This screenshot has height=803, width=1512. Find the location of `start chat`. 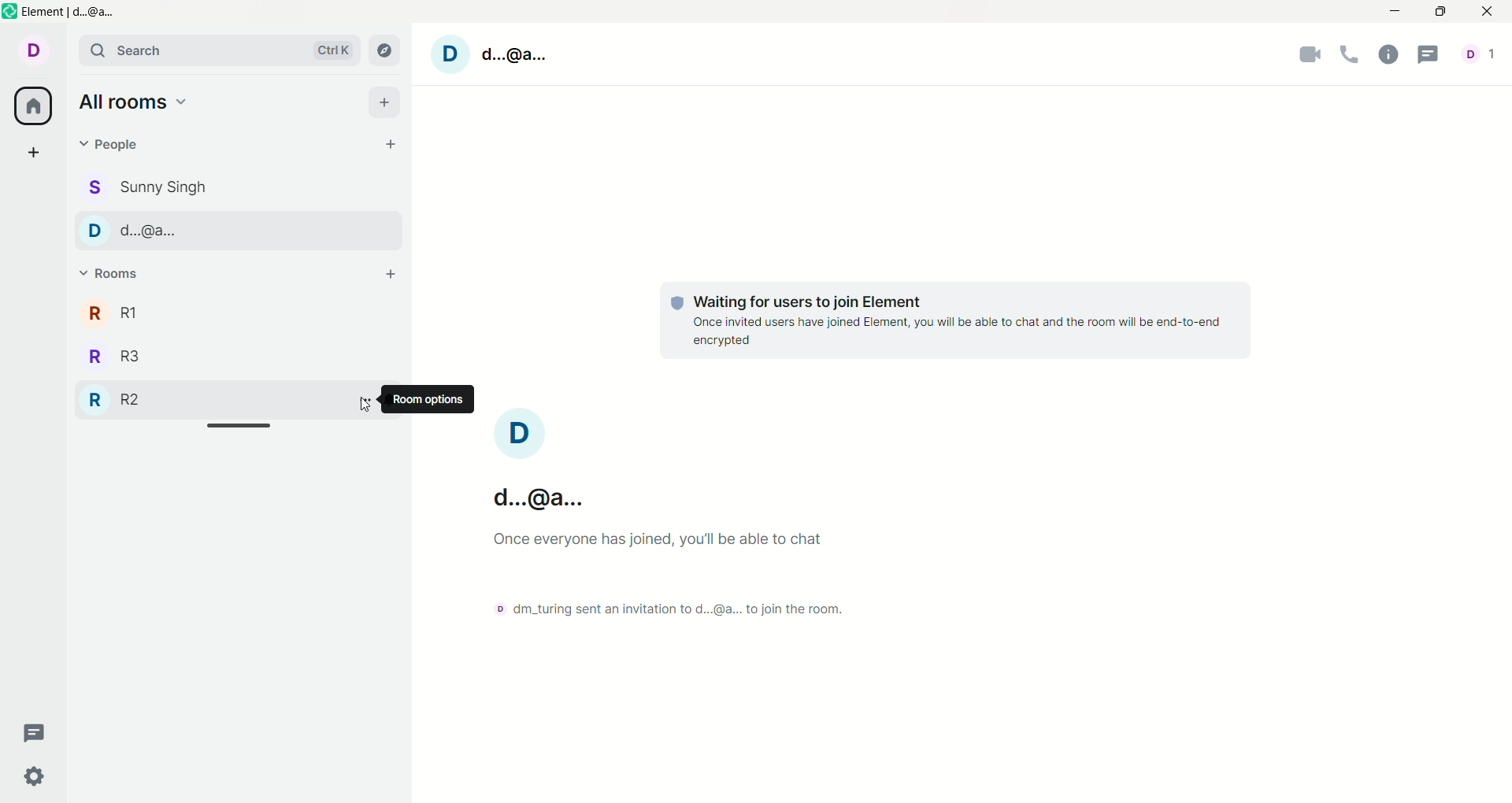

start chat is located at coordinates (395, 145).